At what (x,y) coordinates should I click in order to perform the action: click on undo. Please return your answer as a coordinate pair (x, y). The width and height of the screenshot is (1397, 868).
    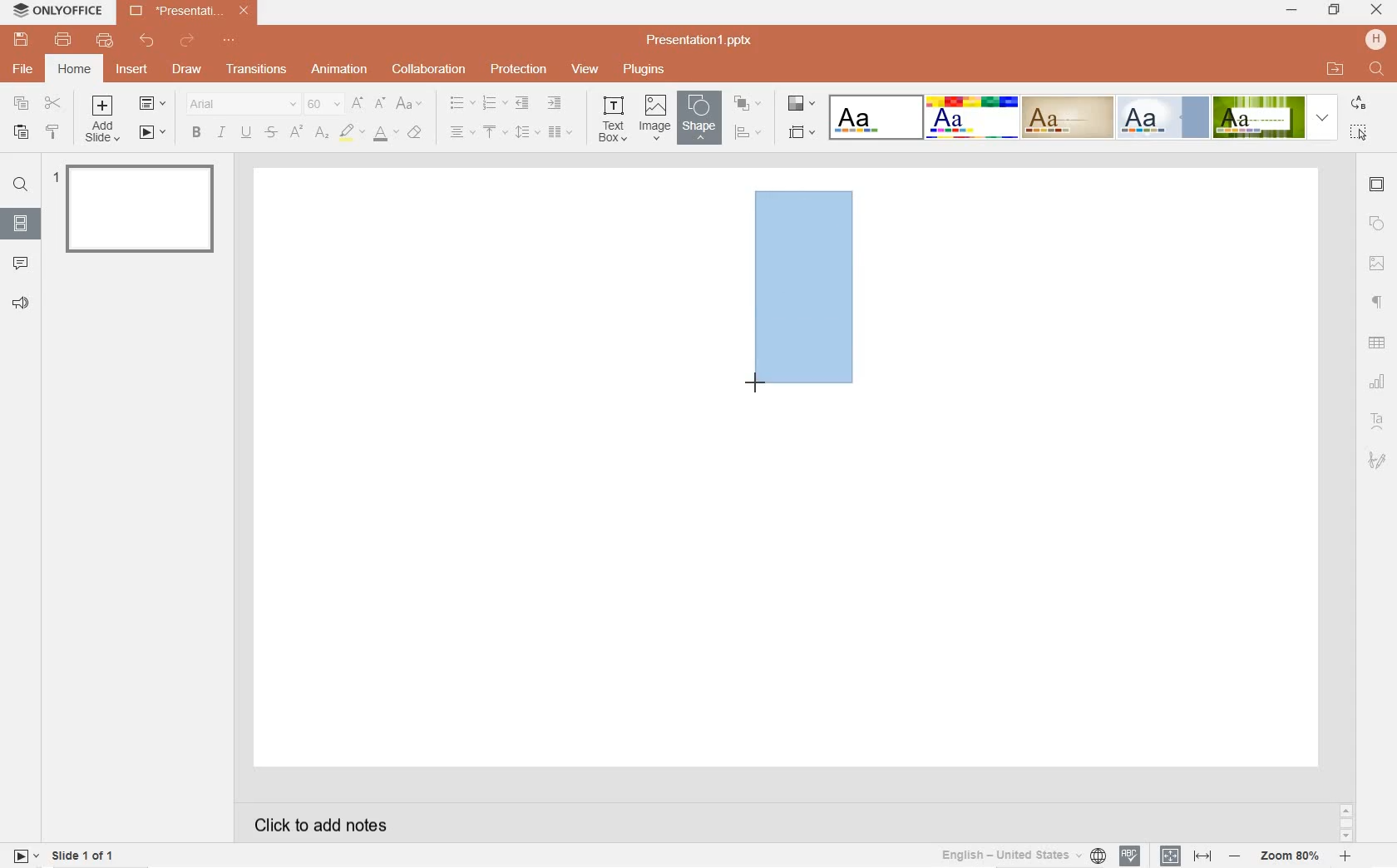
    Looking at the image, I should click on (147, 41).